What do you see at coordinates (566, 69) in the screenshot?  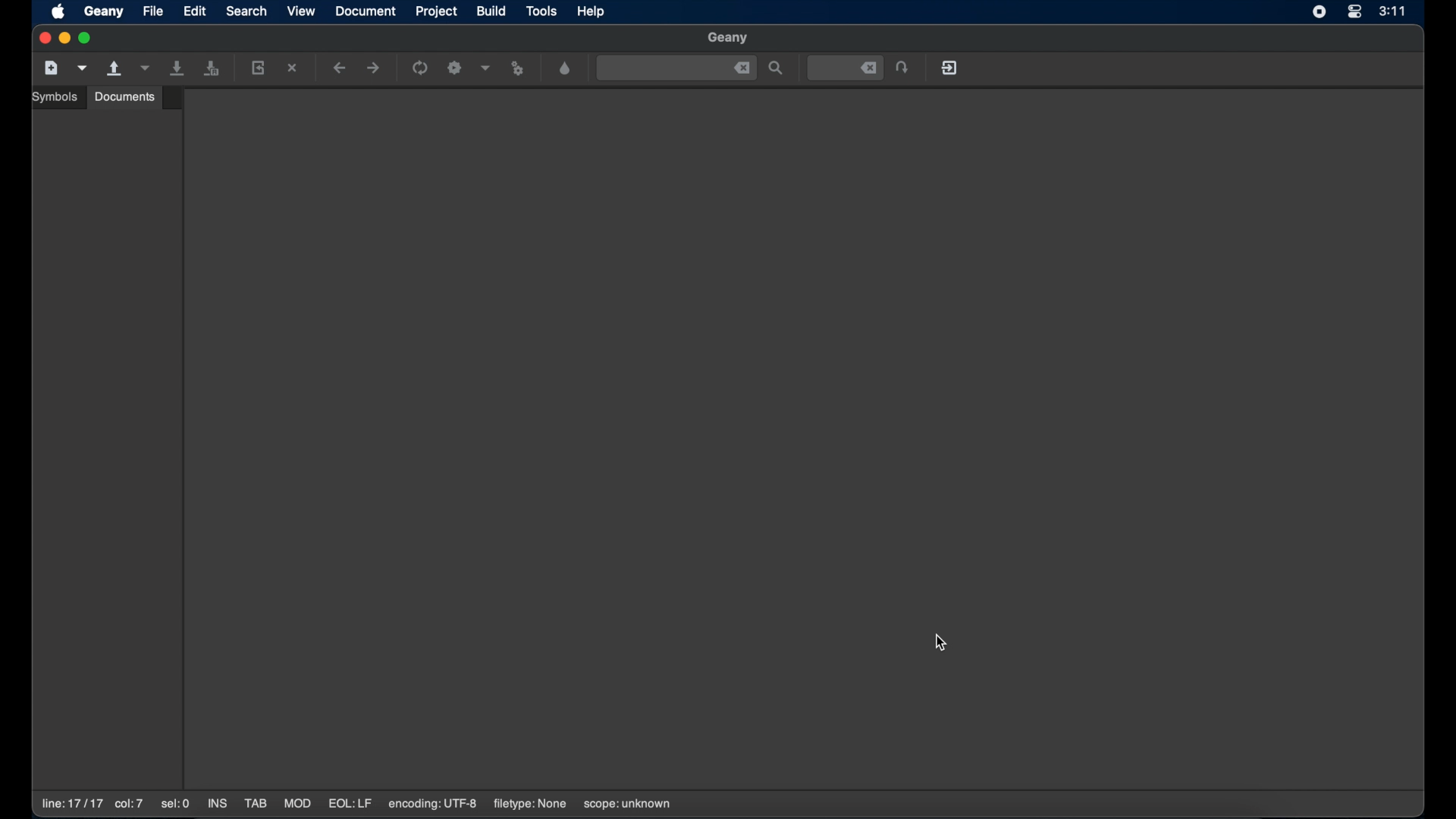 I see `open a color chooser dialogue` at bounding box center [566, 69].